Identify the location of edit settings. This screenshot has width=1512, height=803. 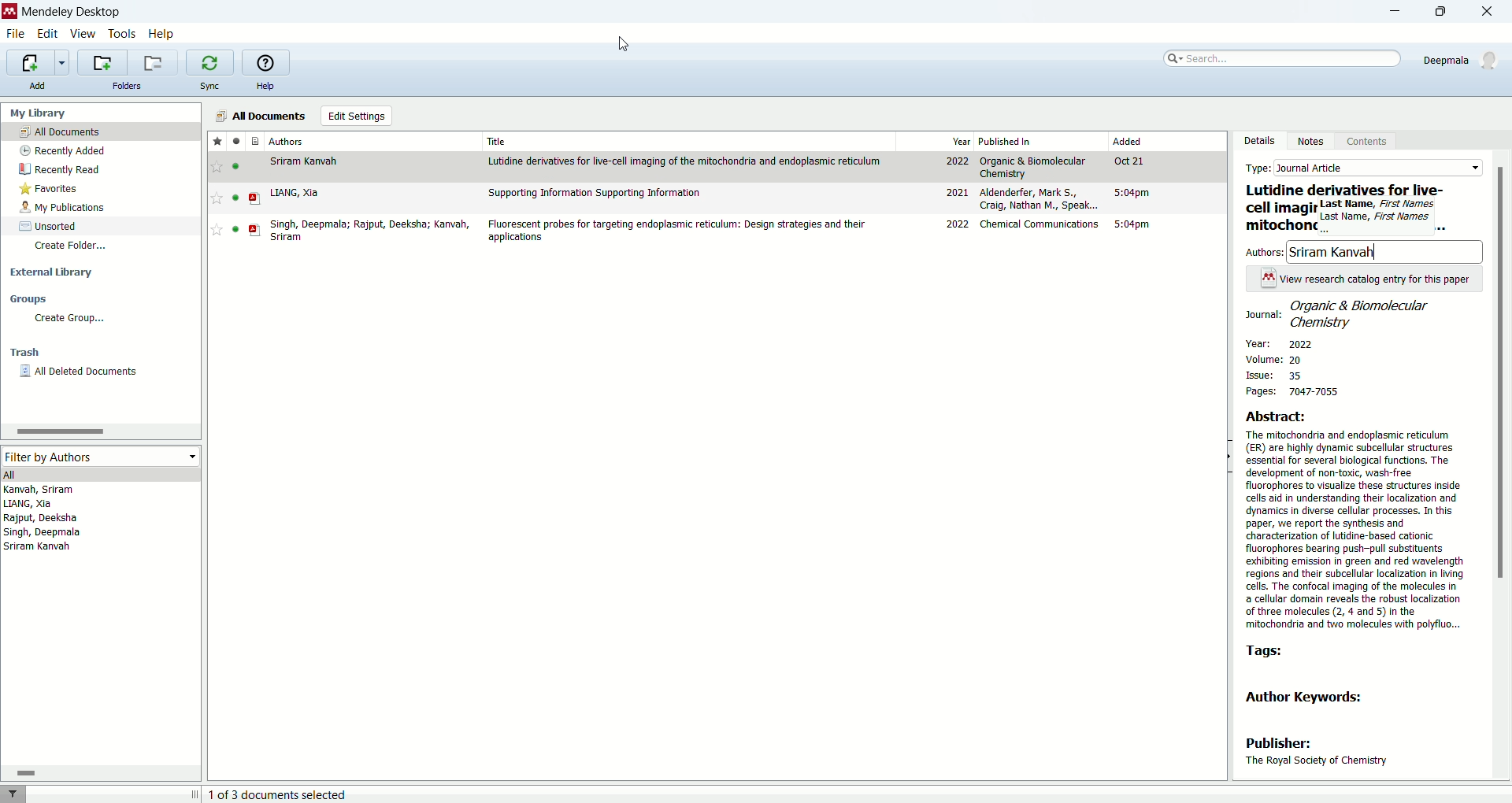
(357, 117).